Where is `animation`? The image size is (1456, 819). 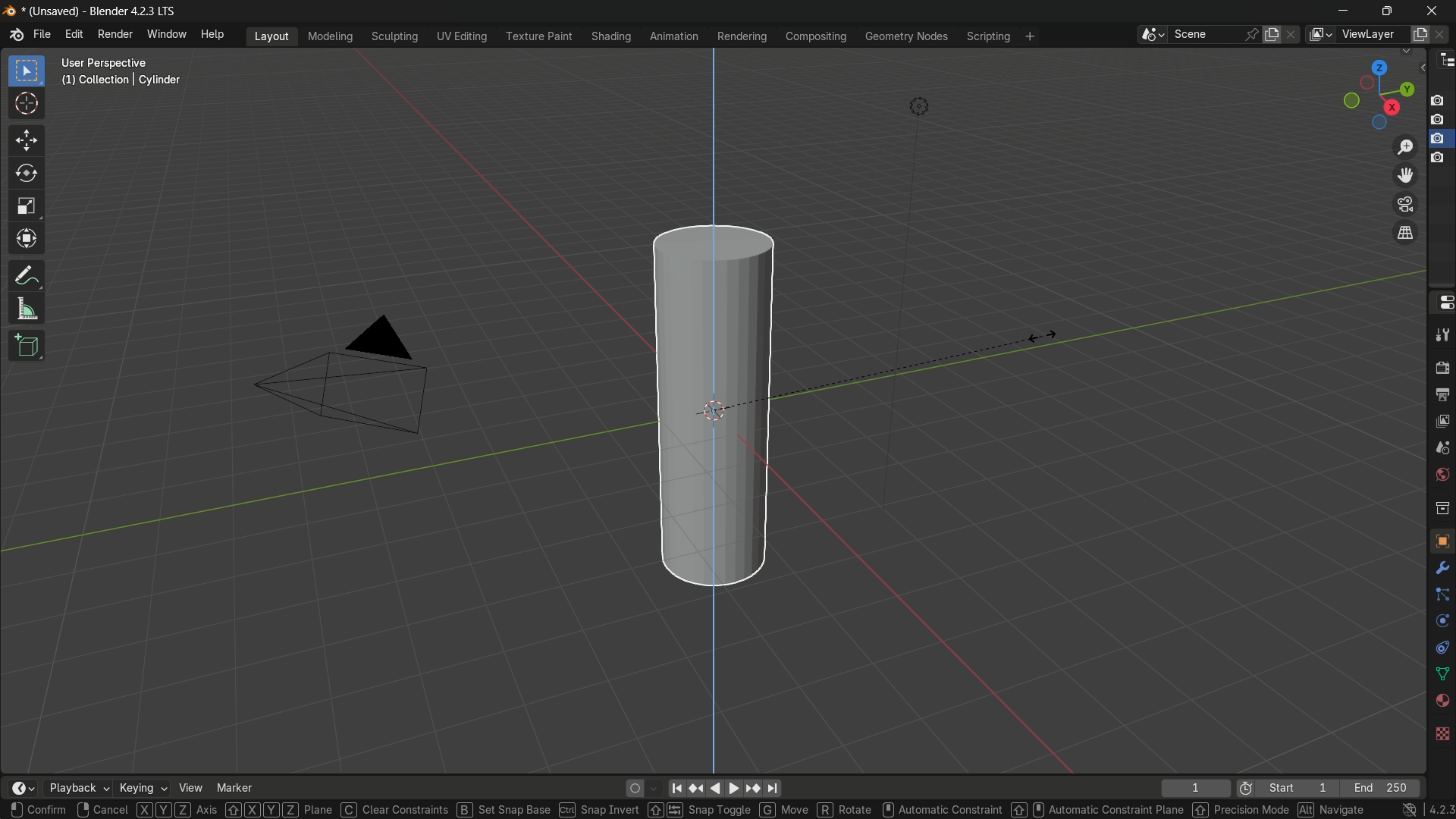
animation is located at coordinates (674, 36).